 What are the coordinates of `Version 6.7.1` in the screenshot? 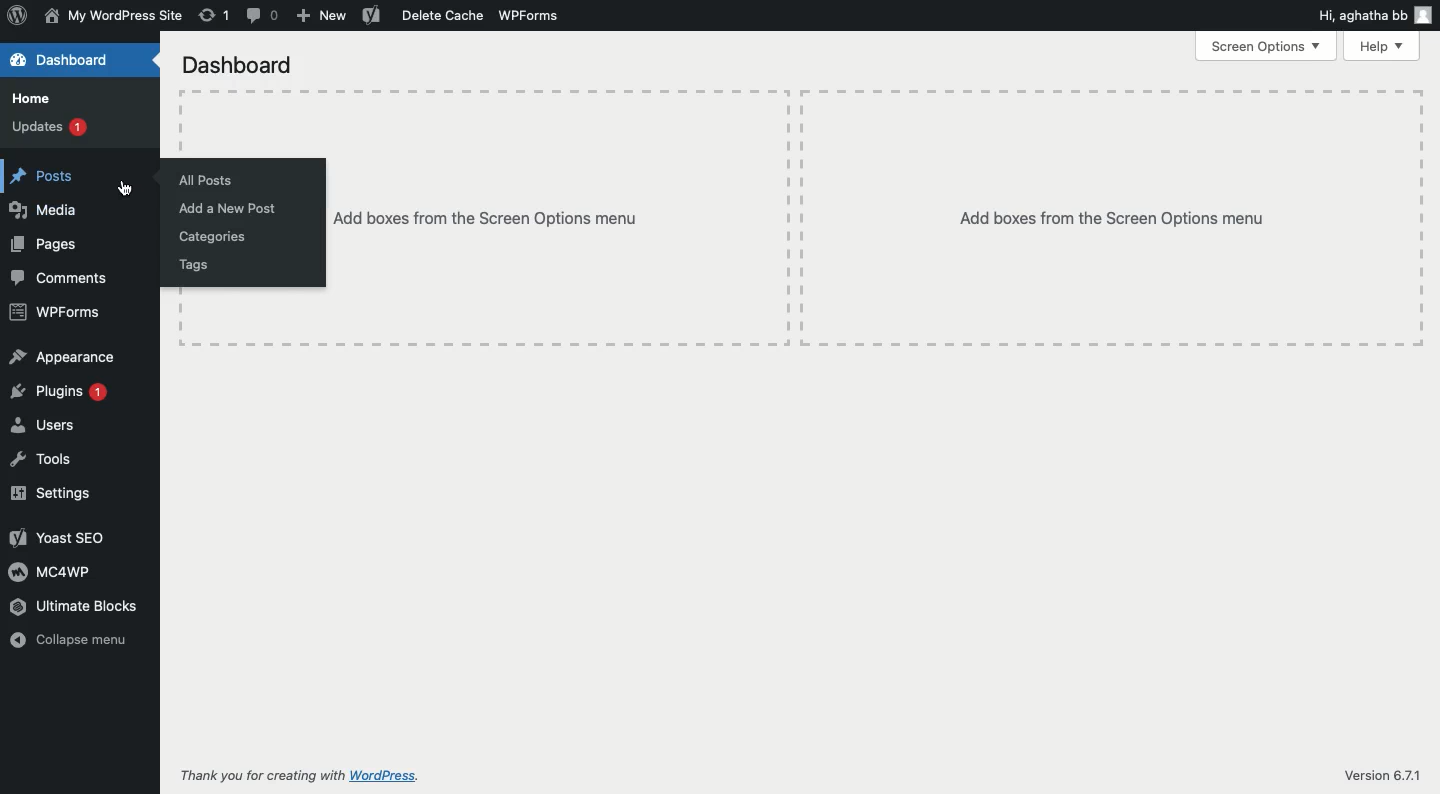 It's located at (1370, 770).